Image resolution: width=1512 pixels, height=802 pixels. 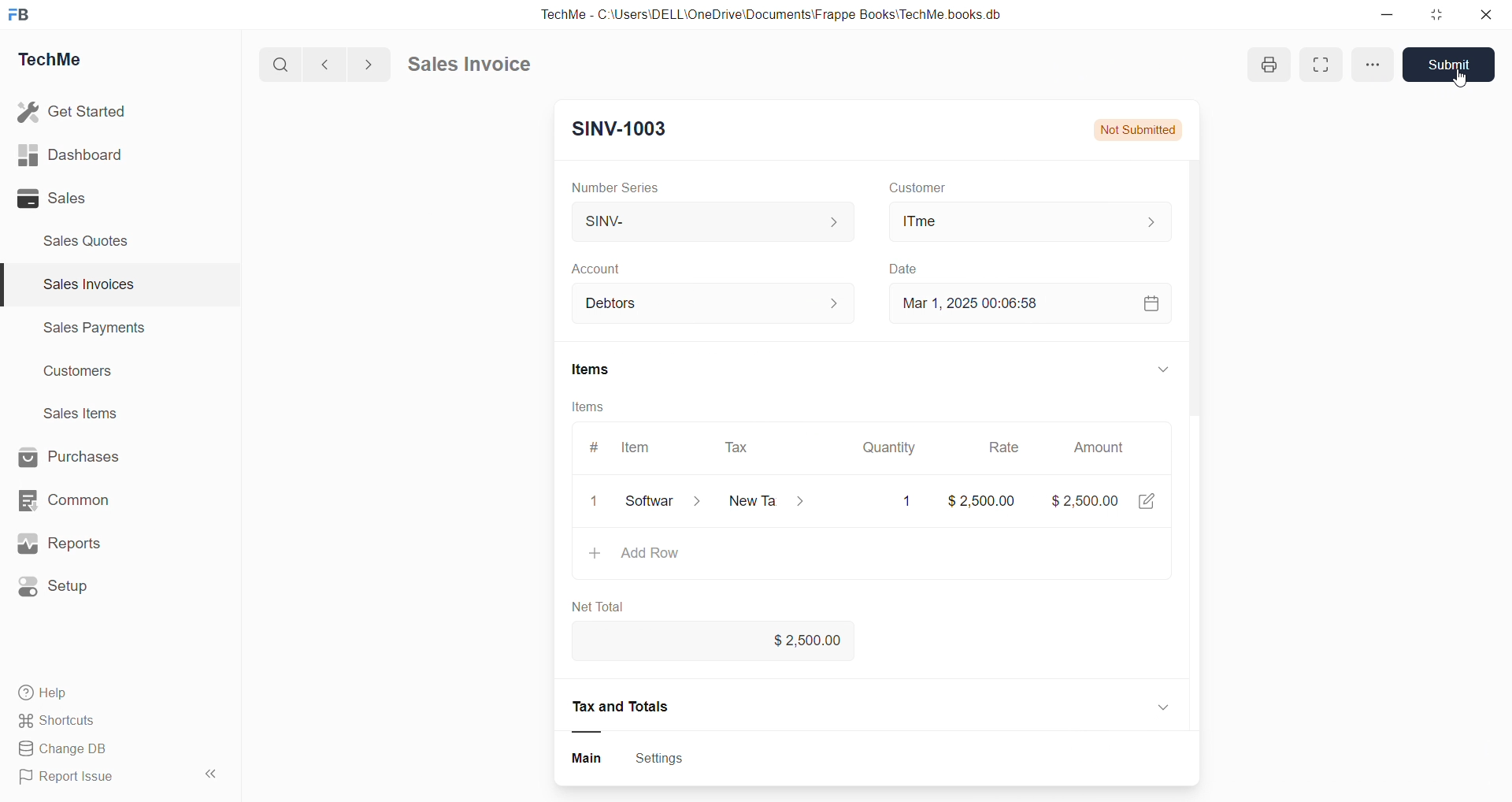 What do you see at coordinates (597, 503) in the screenshot?
I see `1` at bounding box center [597, 503].